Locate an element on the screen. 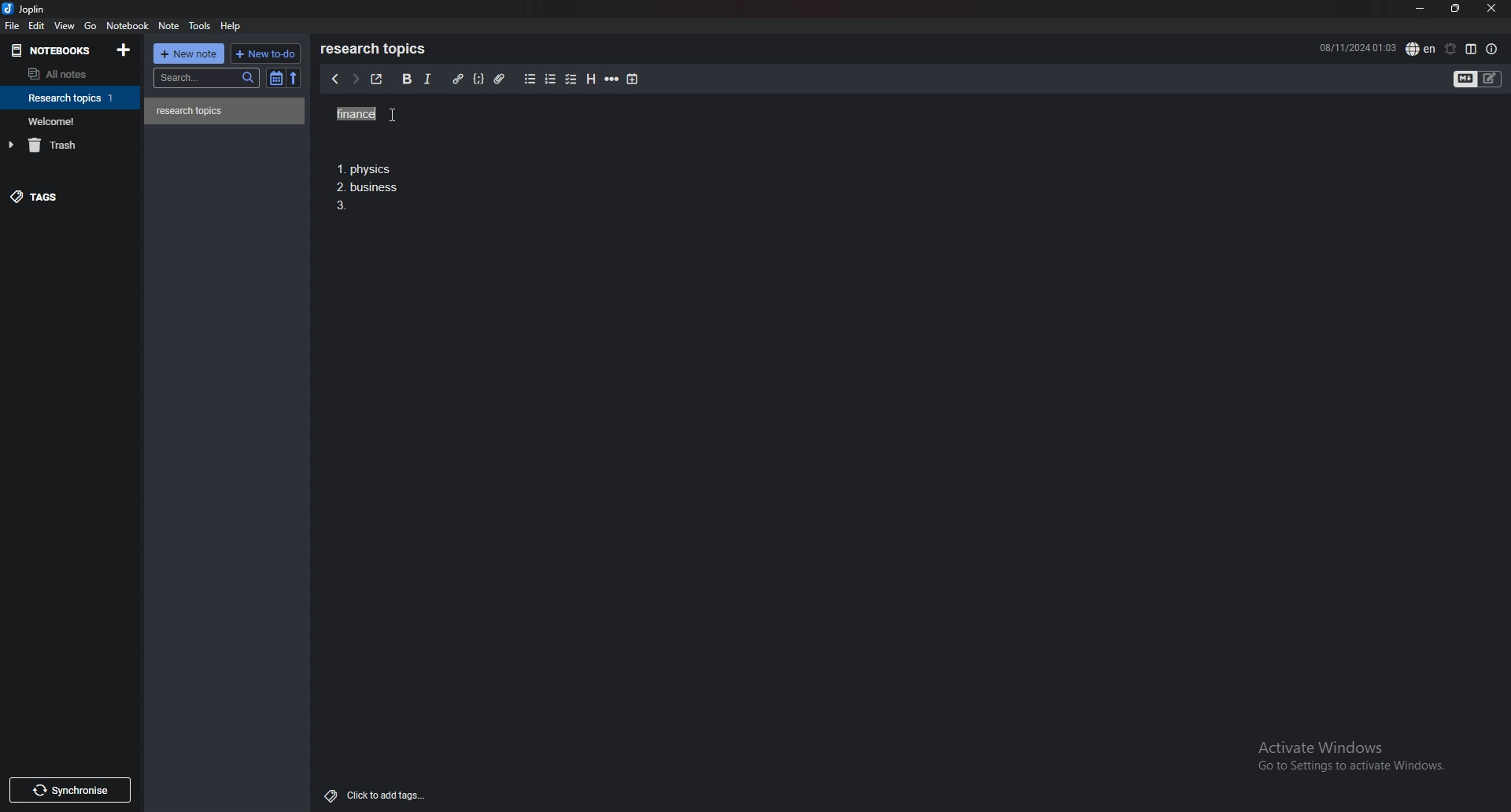 The image size is (1511, 812). close is located at coordinates (1491, 9).